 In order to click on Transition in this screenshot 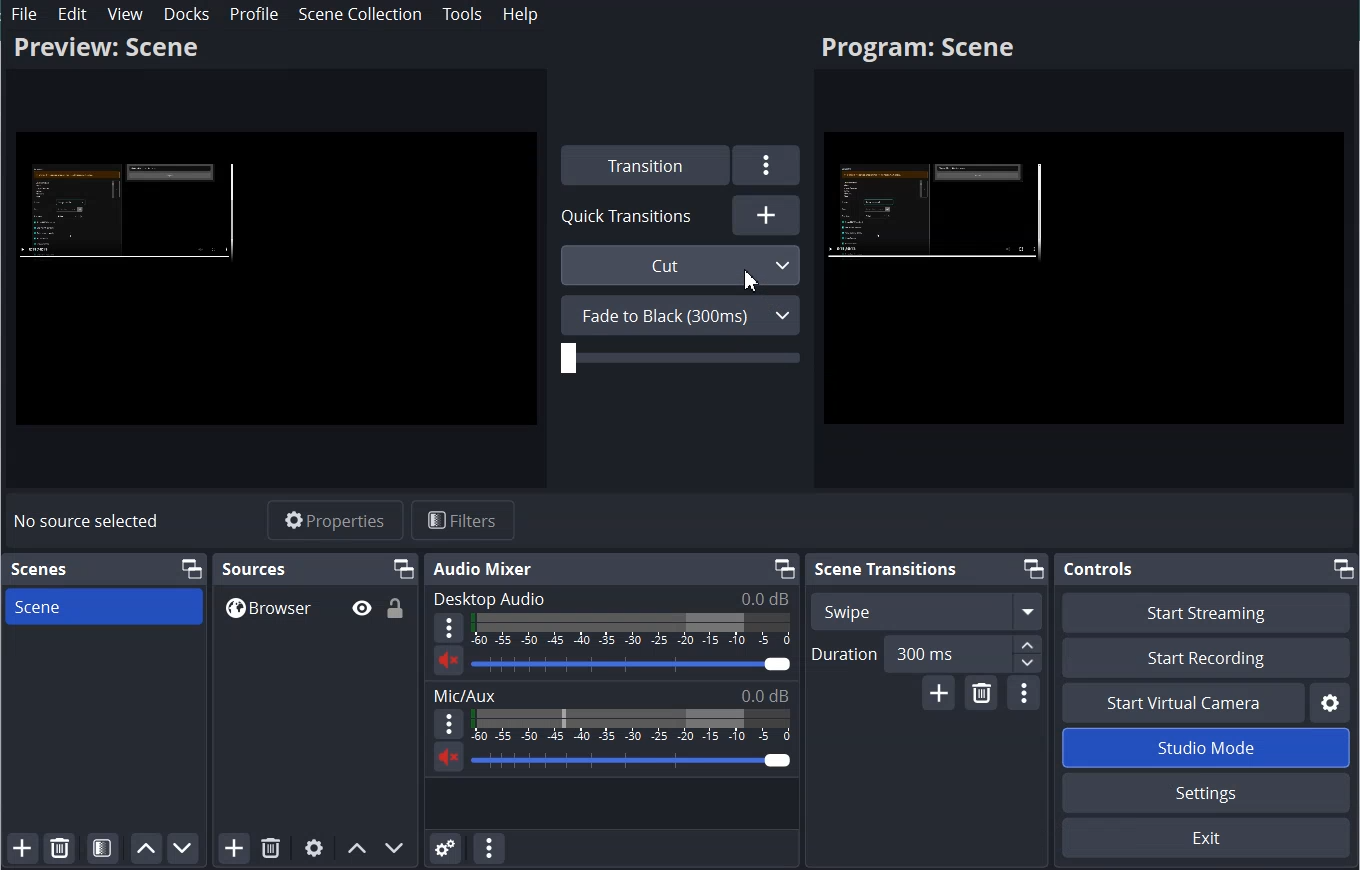, I will do `click(642, 165)`.